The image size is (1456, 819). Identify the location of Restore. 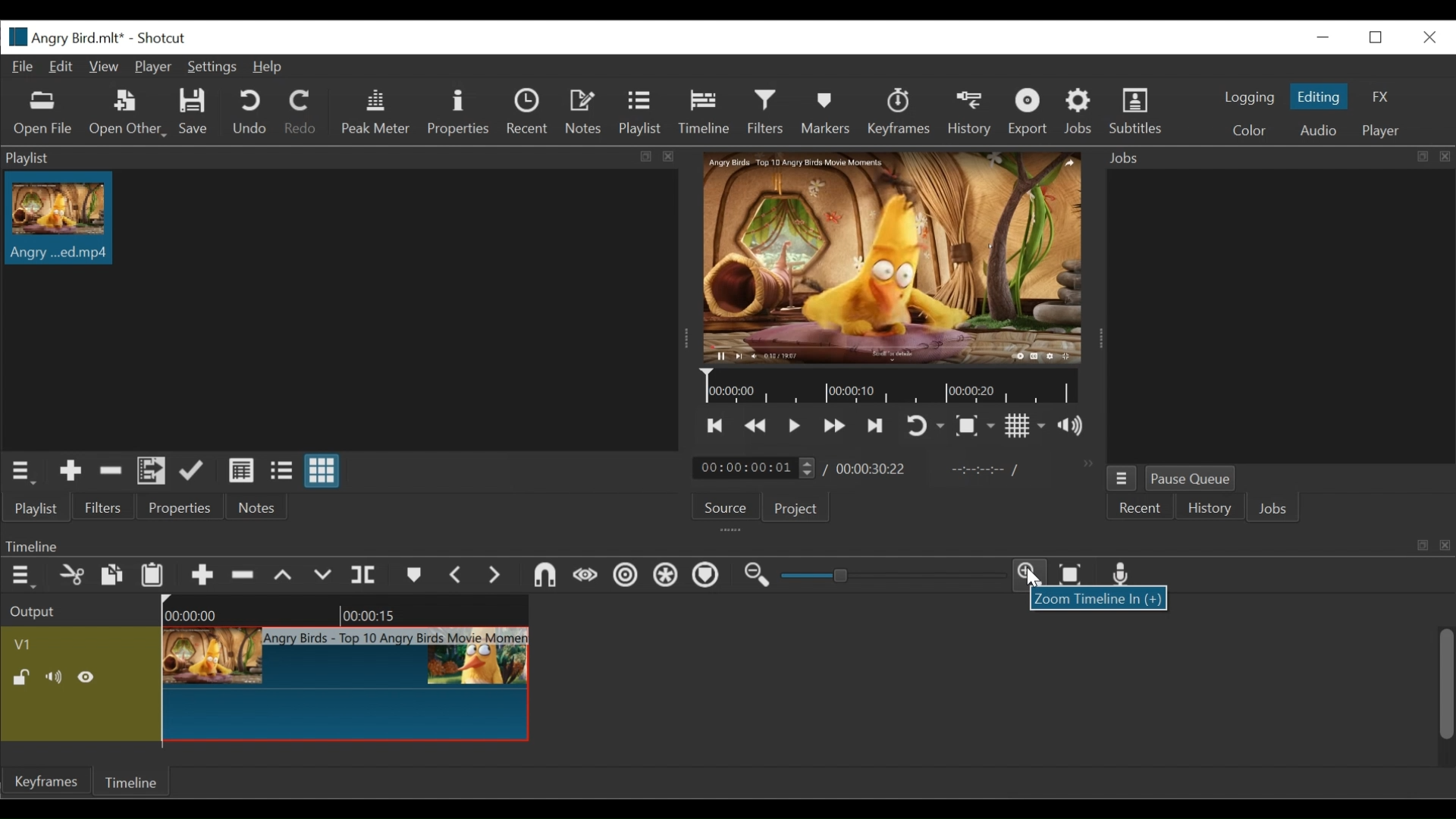
(1375, 37).